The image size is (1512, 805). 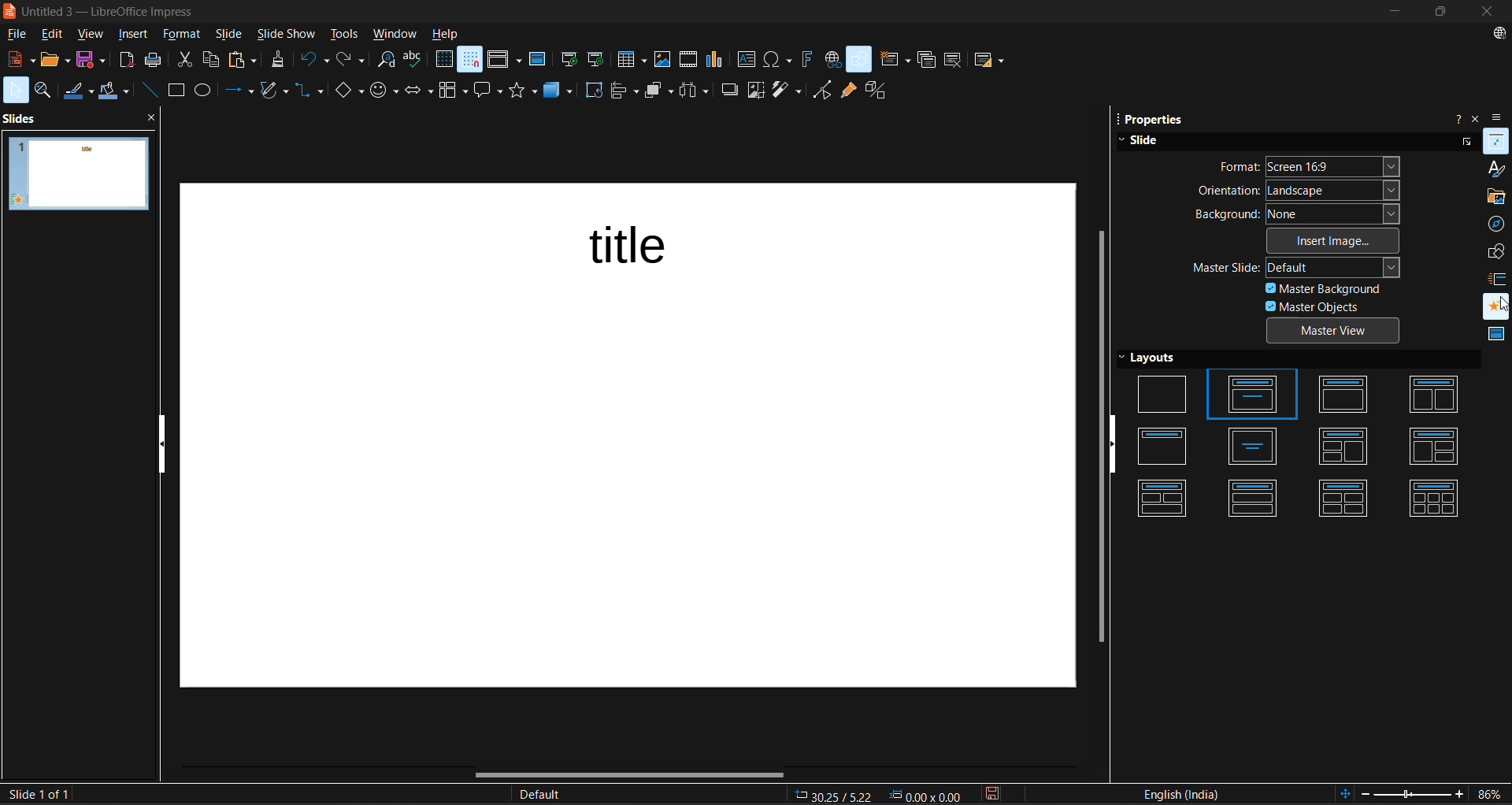 I want to click on find and replace, so click(x=387, y=61).